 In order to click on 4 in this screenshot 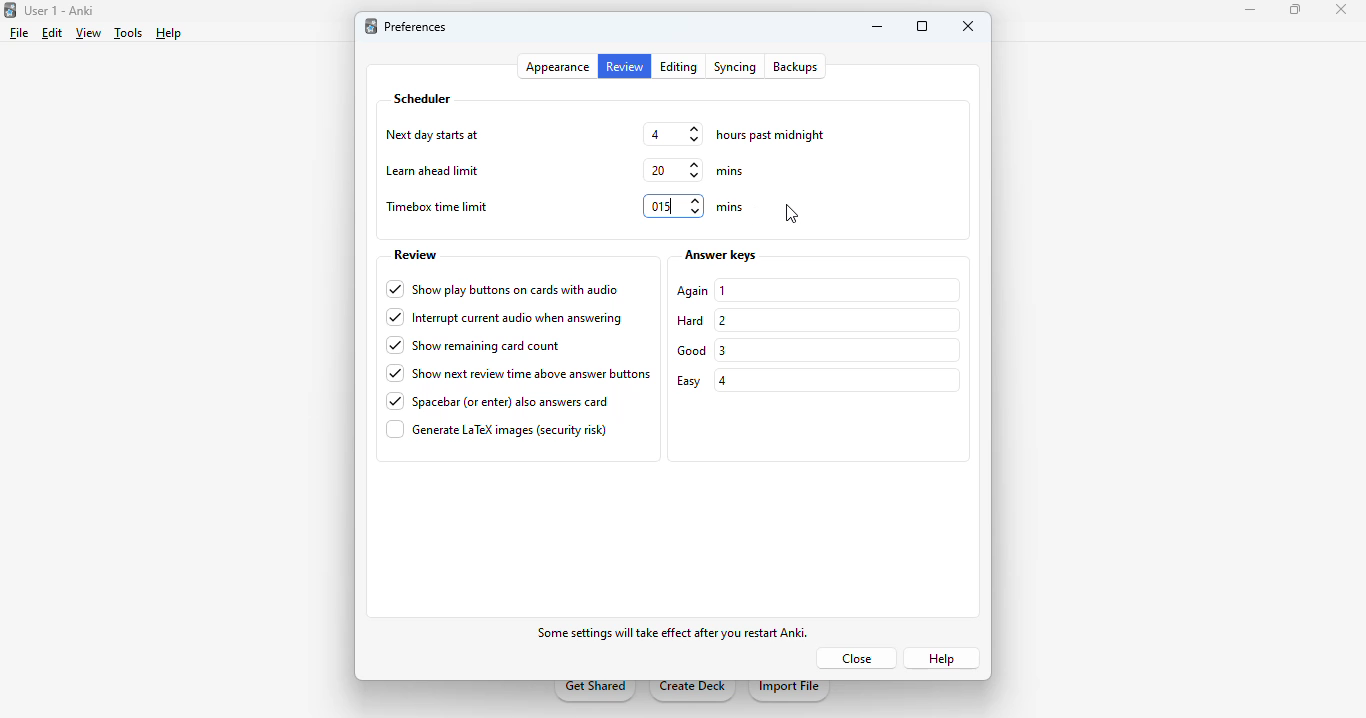, I will do `click(674, 134)`.